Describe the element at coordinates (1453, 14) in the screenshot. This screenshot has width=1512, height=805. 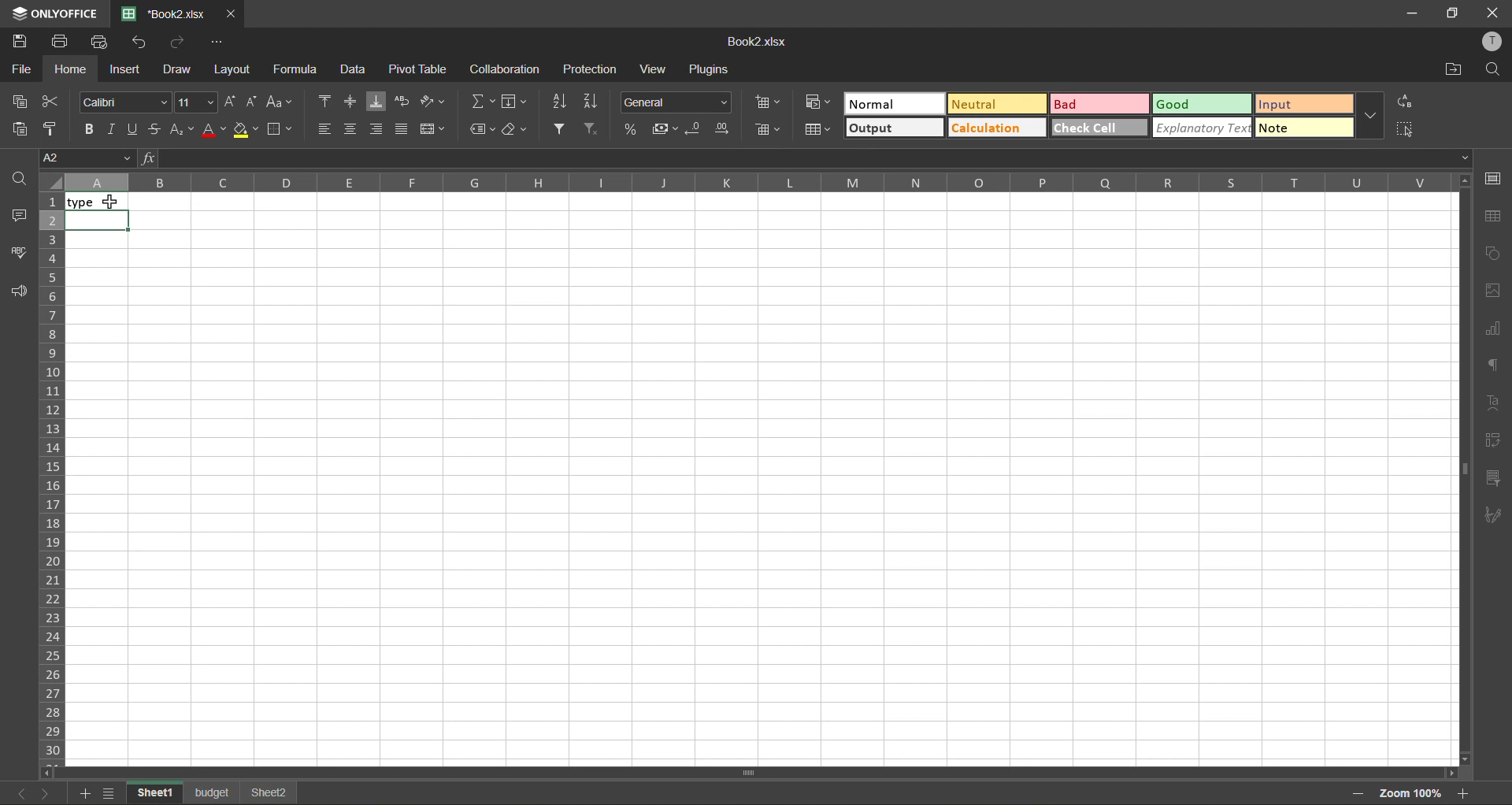
I see `maximize` at that location.